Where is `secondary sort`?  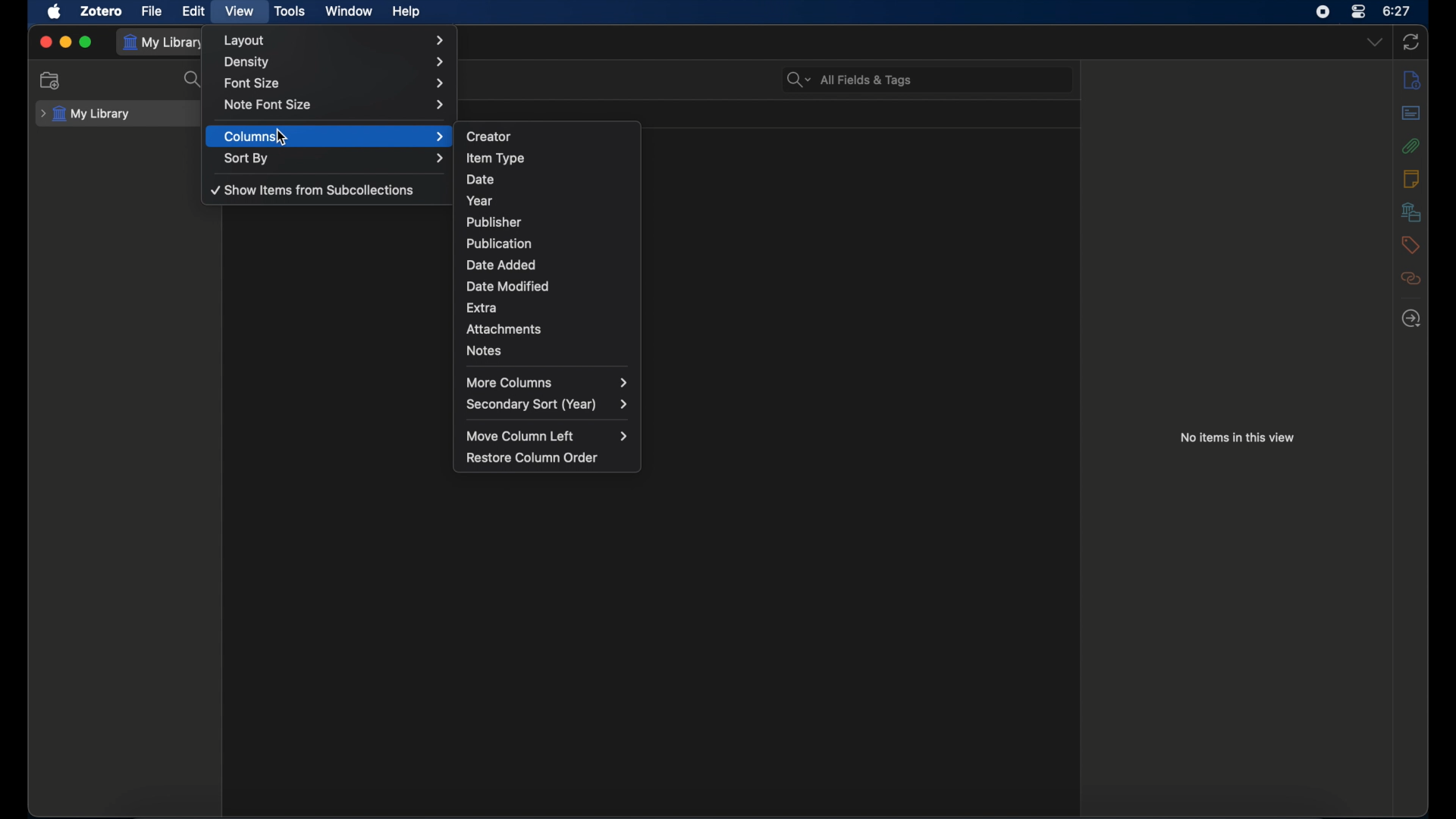 secondary sort is located at coordinates (546, 404).